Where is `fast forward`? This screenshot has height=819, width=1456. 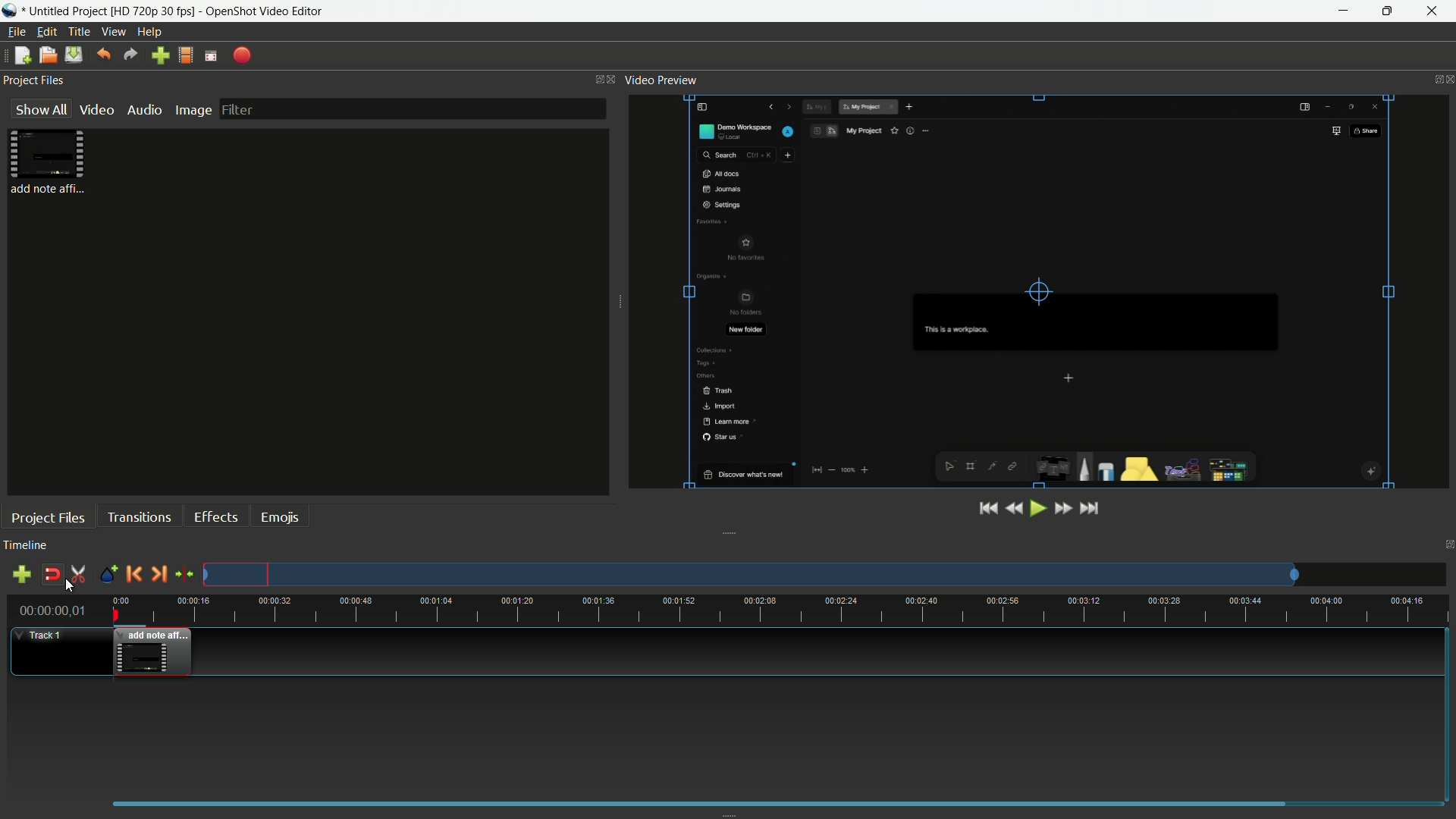
fast forward is located at coordinates (1062, 510).